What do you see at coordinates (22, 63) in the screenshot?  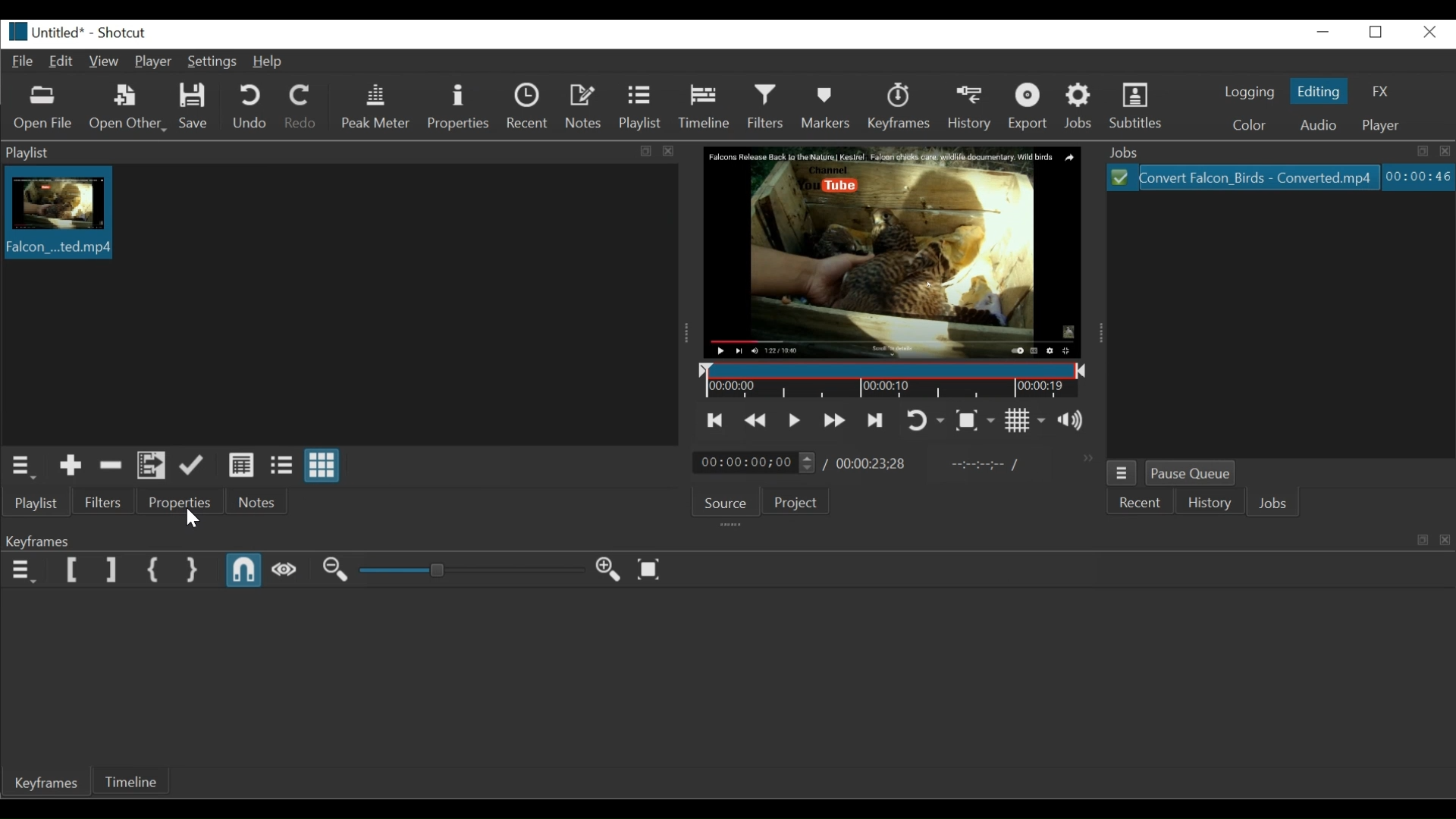 I see `File` at bounding box center [22, 63].